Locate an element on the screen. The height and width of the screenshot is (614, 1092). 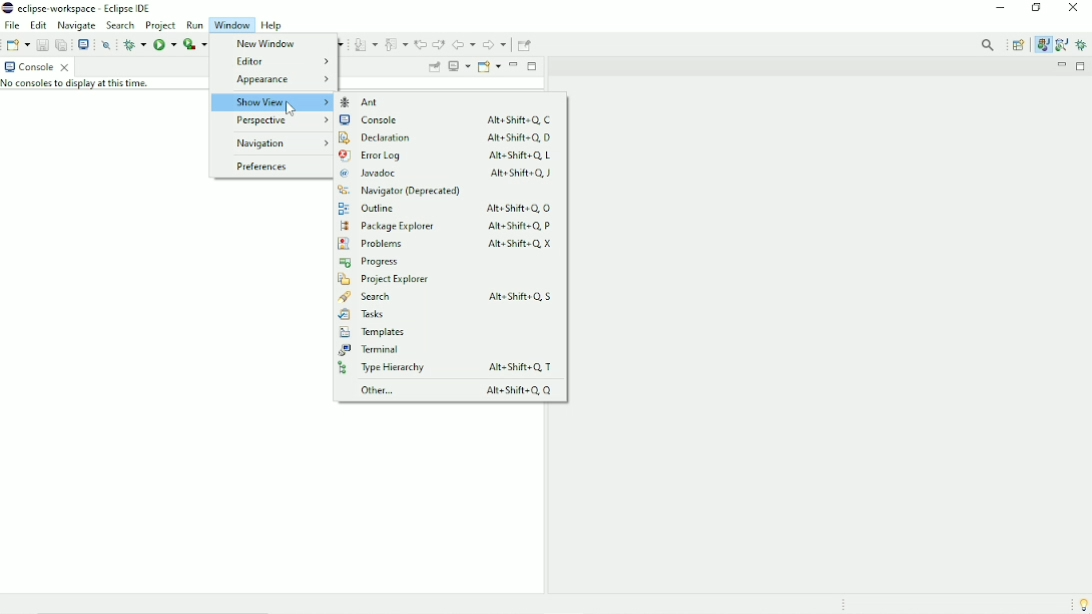
Tasks is located at coordinates (362, 315).